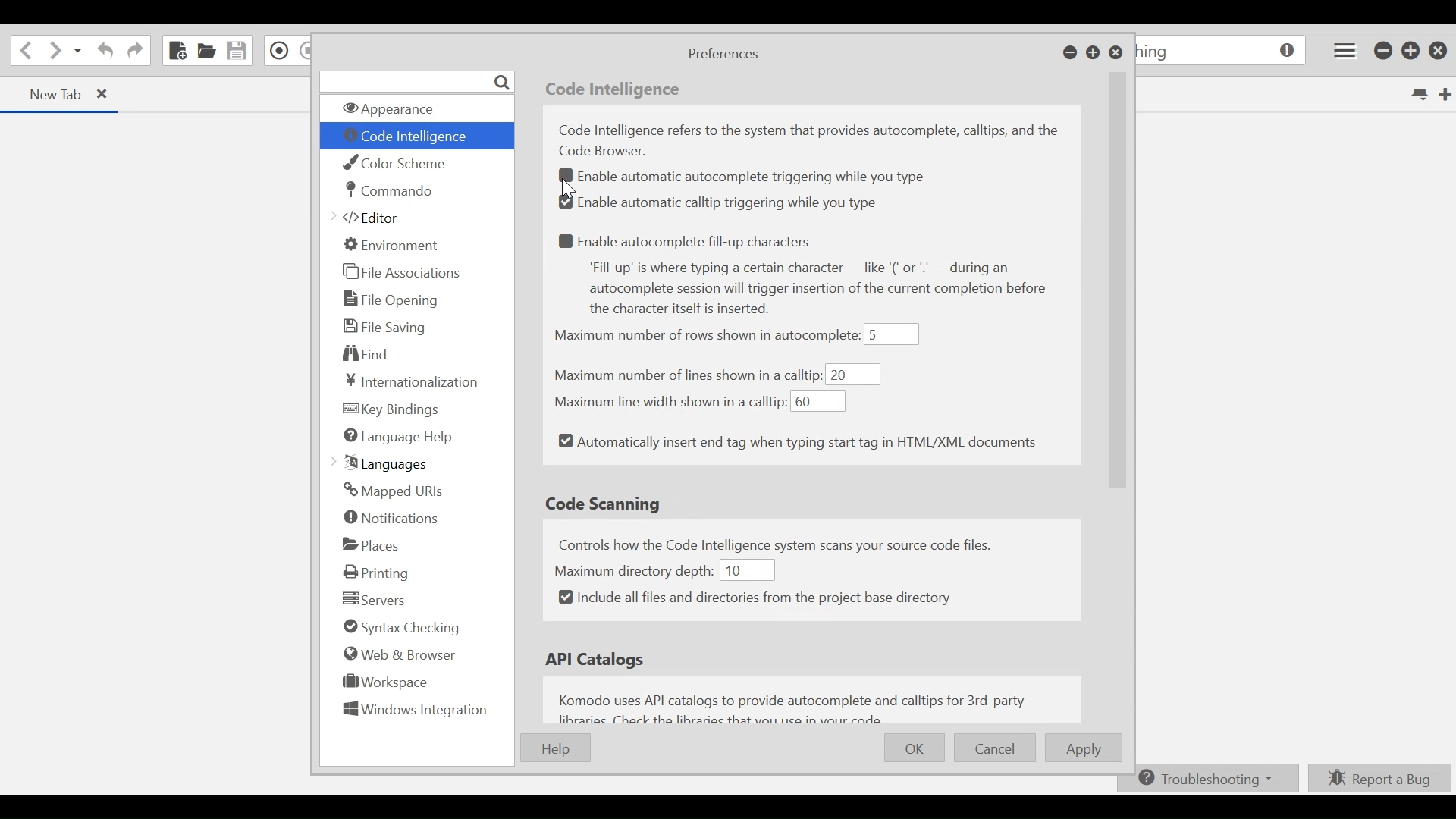 Image resolution: width=1456 pixels, height=819 pixels. I want to click on Recording in Macro , so click(280, 50).